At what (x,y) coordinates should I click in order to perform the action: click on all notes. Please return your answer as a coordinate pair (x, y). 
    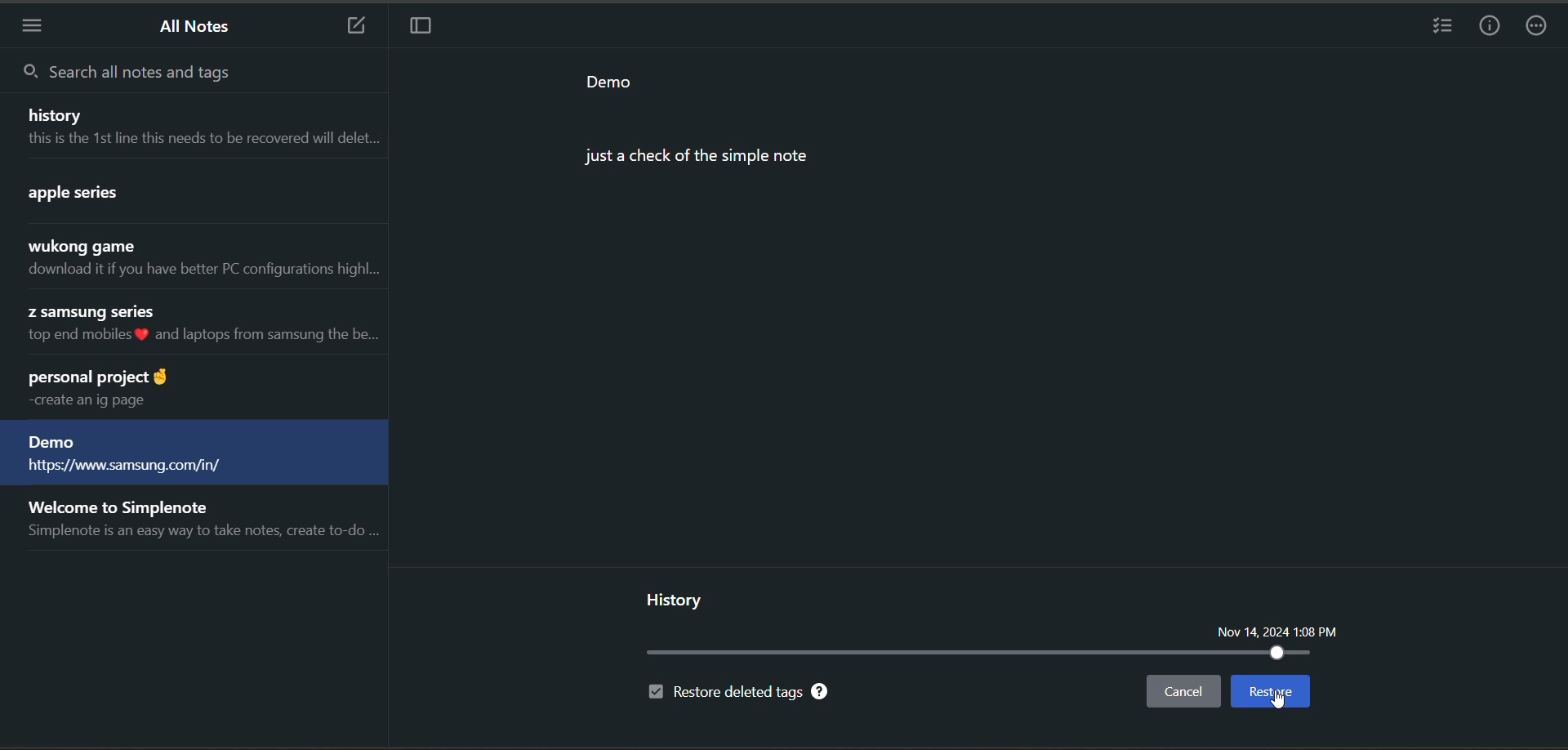
    Looking at the image, I should click on (199, 28).